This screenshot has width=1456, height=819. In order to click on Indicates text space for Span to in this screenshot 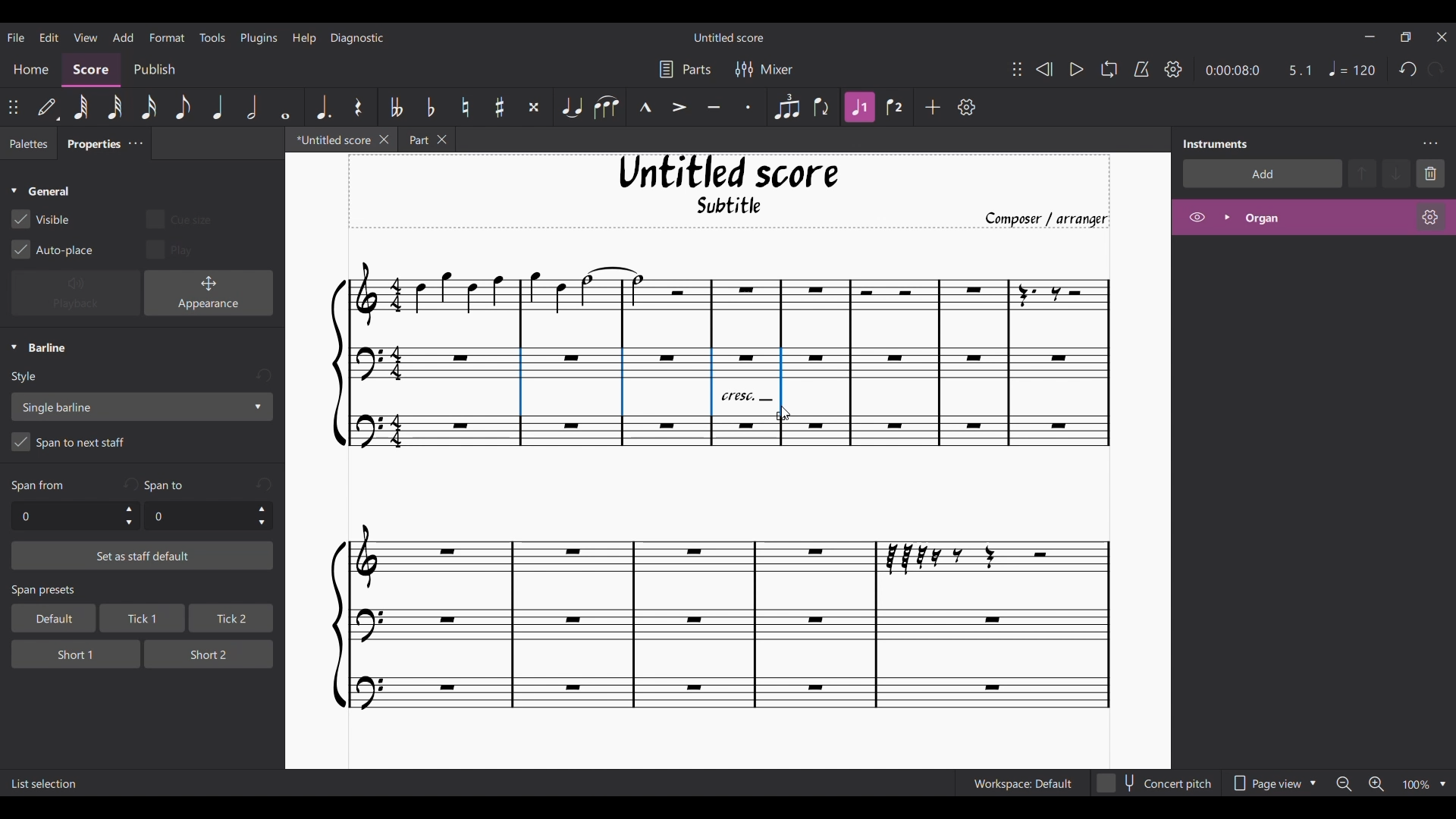, I will do `click(168, 485)`.